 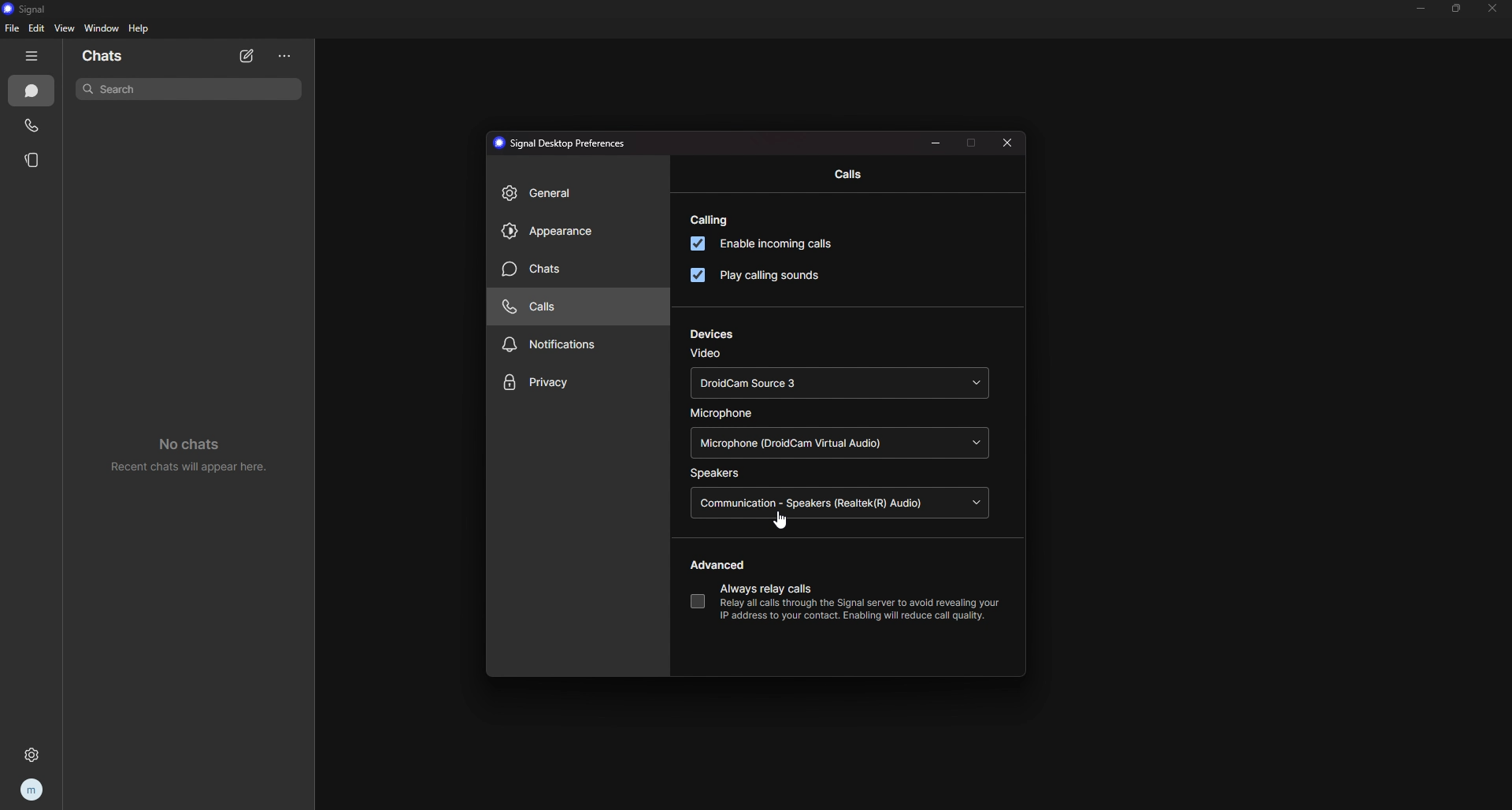 What do you see at coordinates (574, 193) in the screenshot?
I see `general` at bounding box center [574, 193].